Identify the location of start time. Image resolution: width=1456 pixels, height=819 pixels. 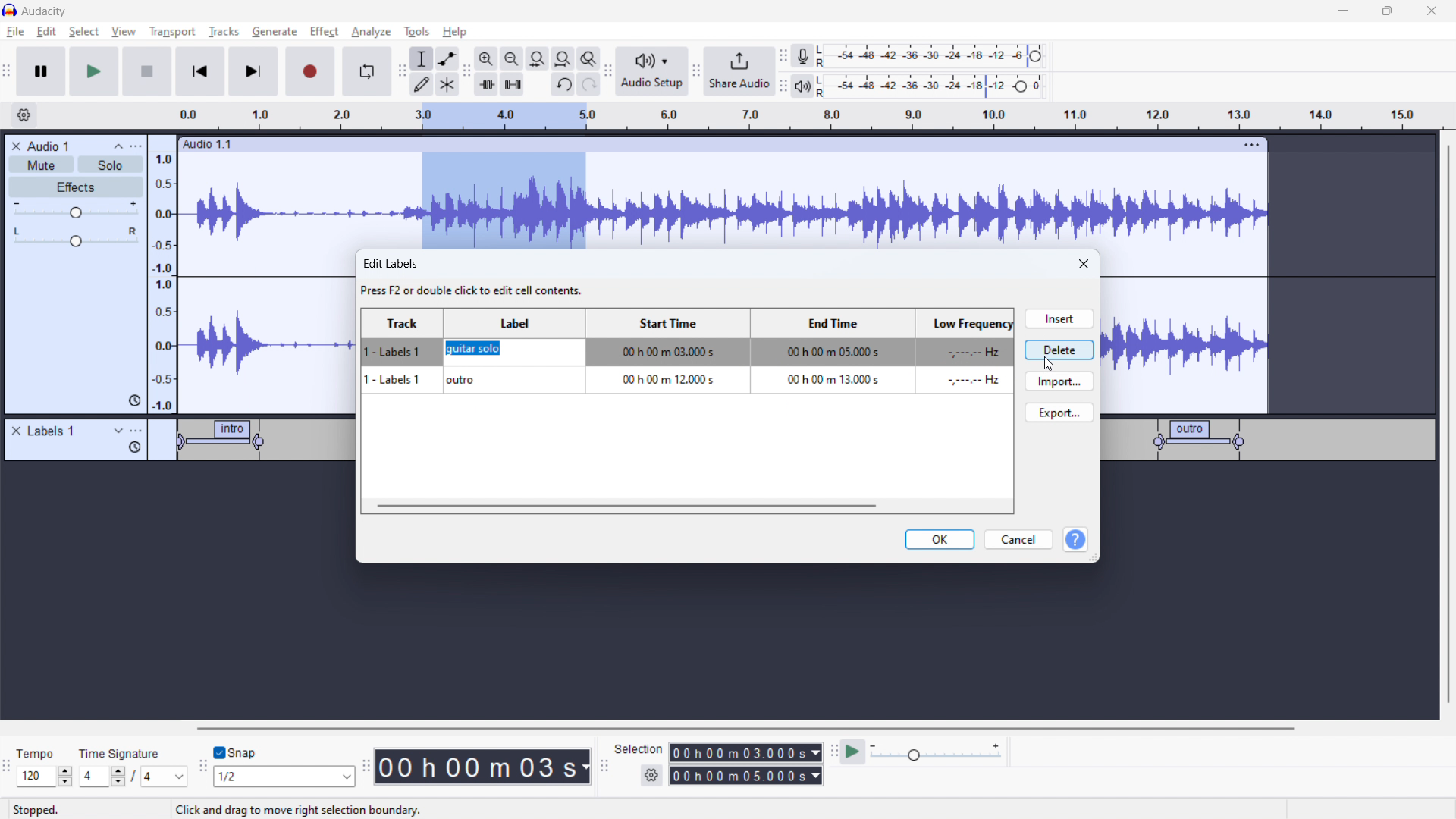
(666, 365).